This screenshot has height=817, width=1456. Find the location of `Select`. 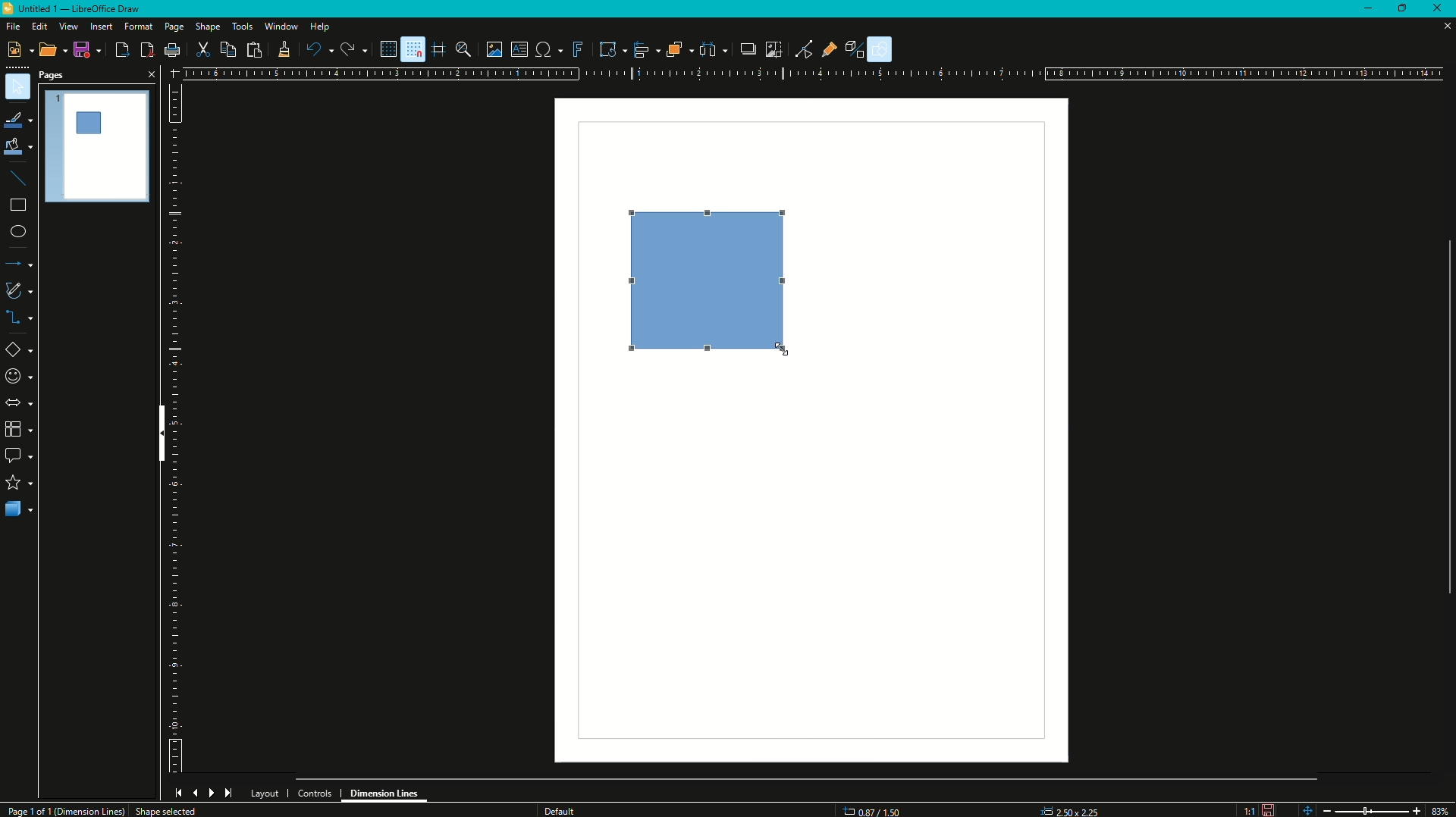

Select is located at coordinates (18, 87).